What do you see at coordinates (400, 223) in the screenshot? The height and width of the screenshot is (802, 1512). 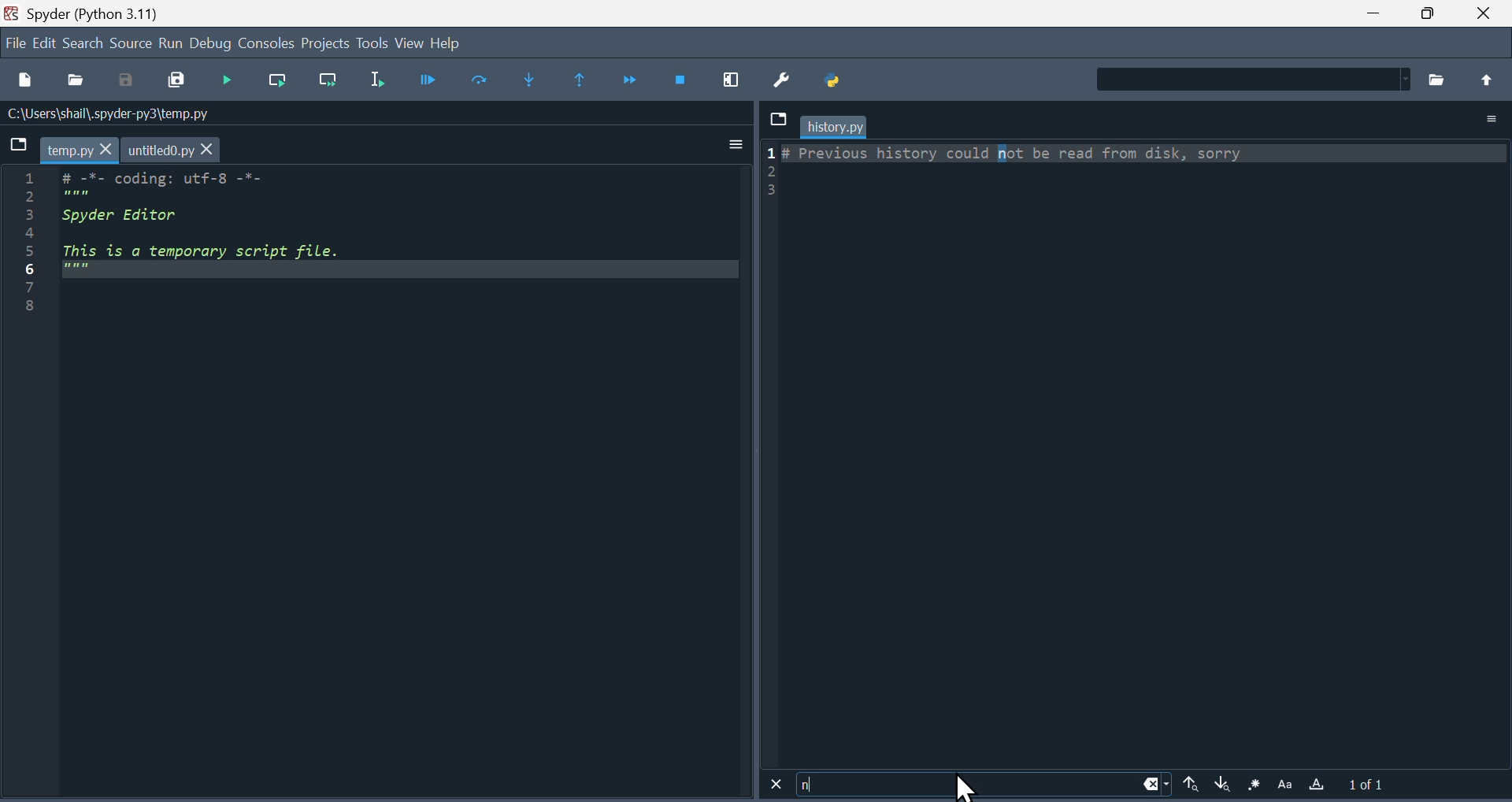 I see `code` at bounding box center [400, 223].